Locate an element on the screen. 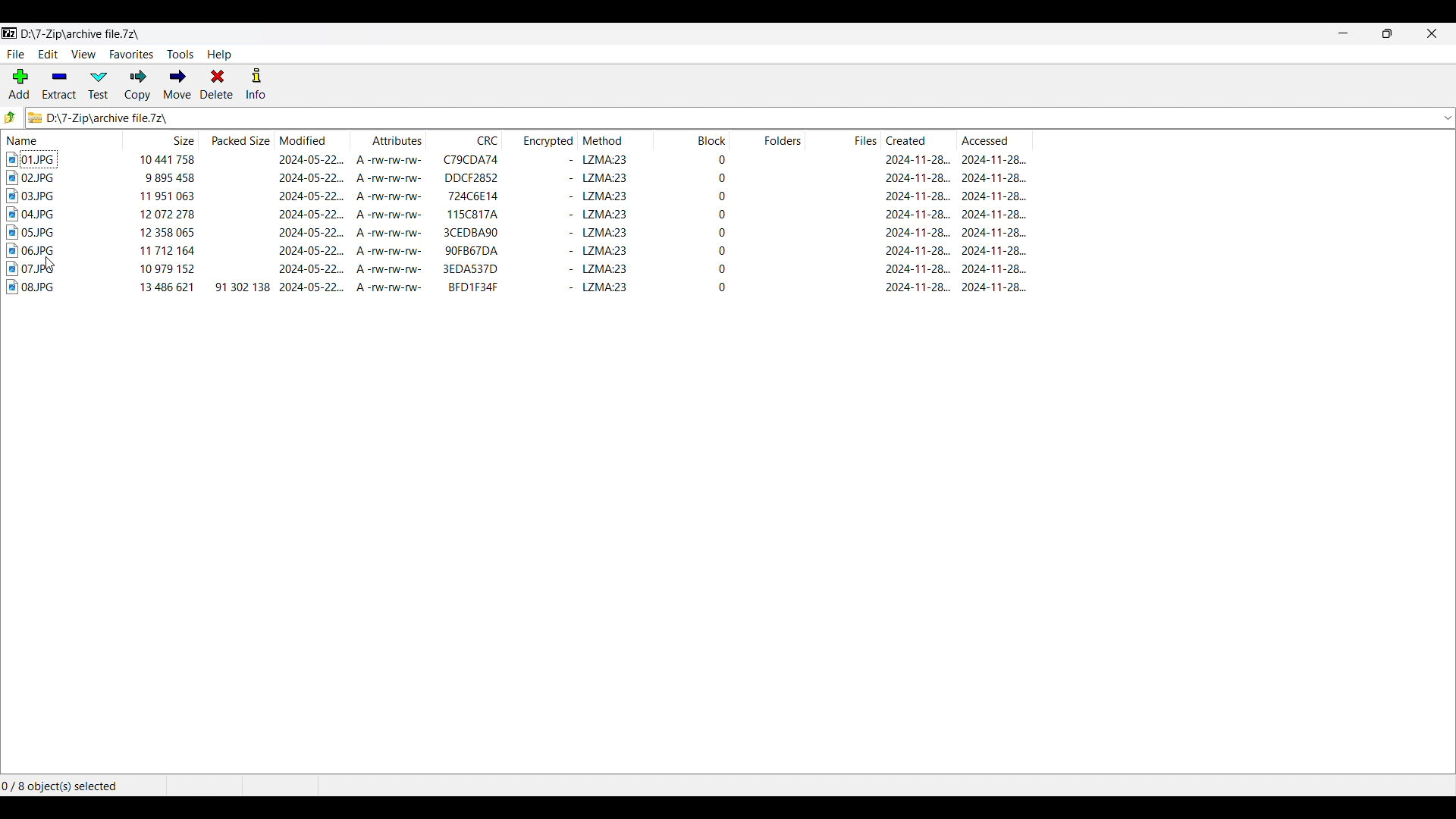 This screenshot has height=819, width=1456. size is located at coordinates (167, 215).